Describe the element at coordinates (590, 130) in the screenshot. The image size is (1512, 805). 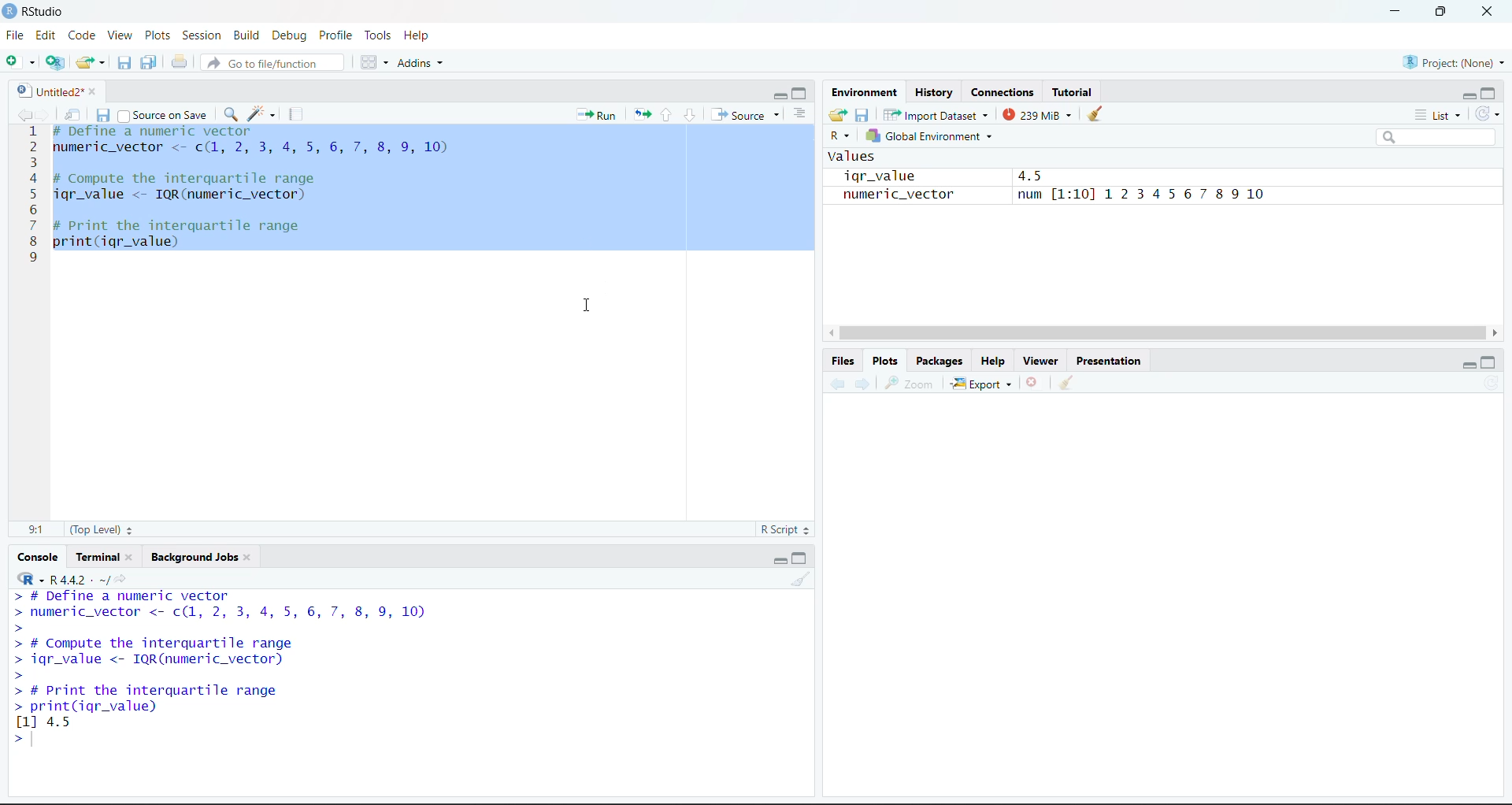
I see `Cursor` at that location.